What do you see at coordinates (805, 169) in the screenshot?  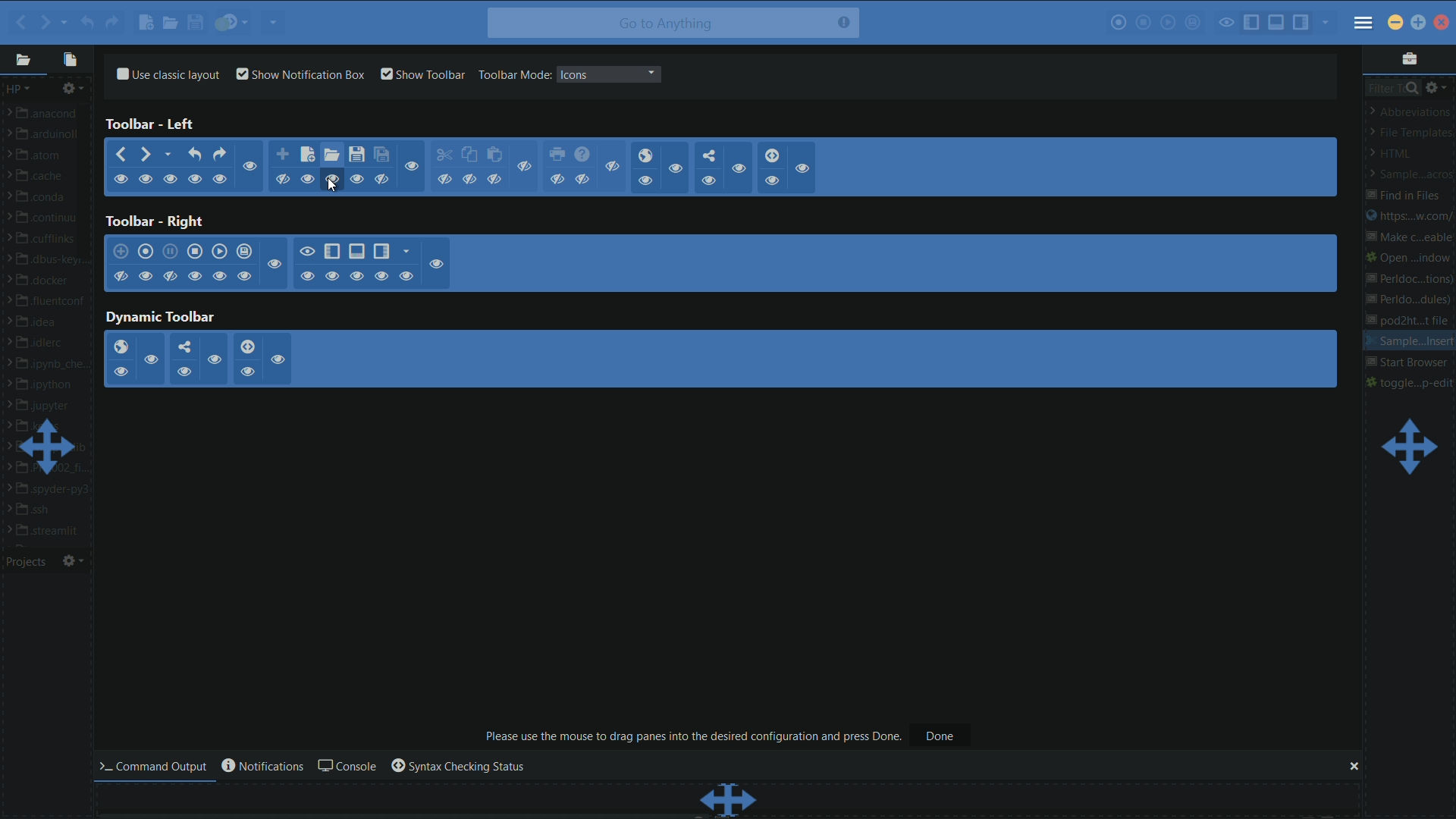 I see `show/hide` at bounding box center [805, 169].